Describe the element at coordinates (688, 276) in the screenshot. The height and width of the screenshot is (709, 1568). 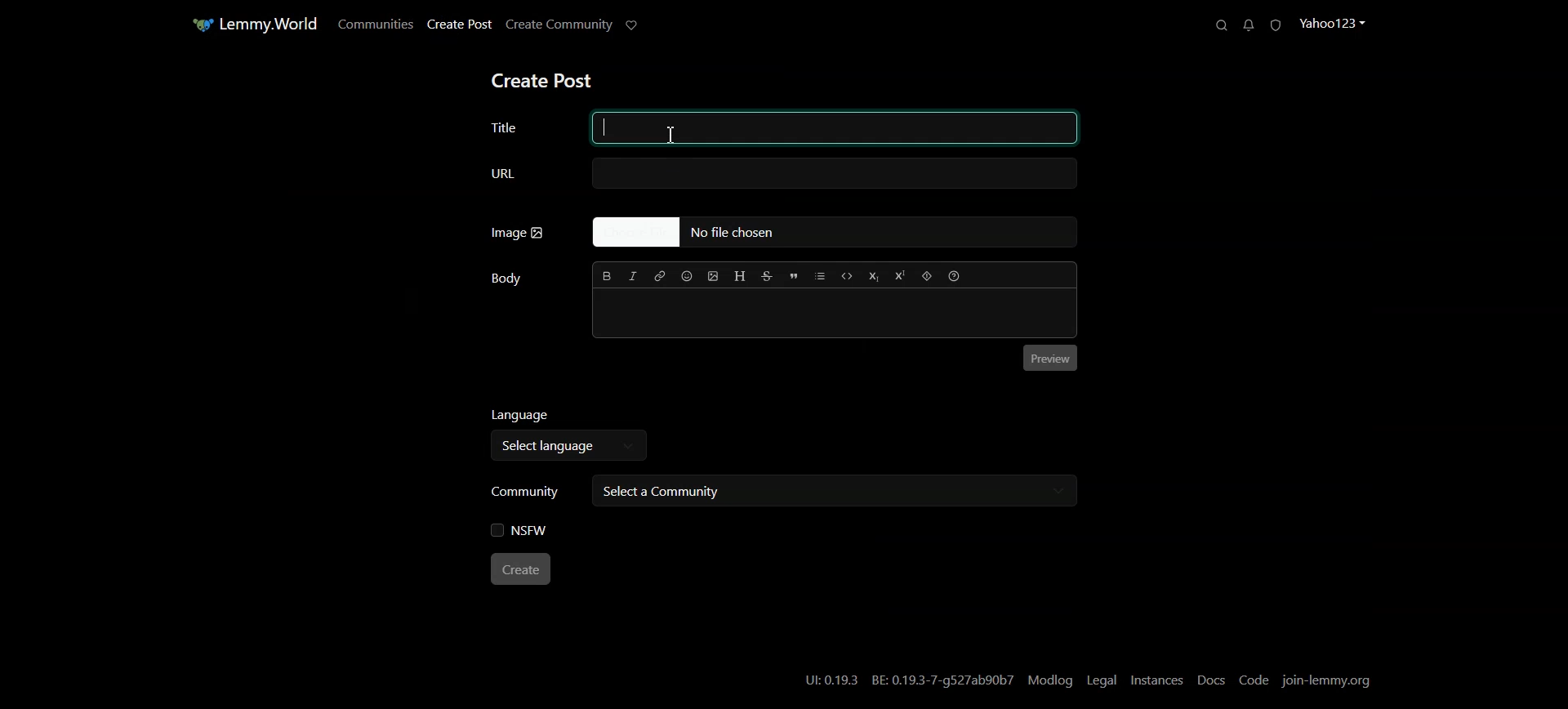
I see `Insert Emoji` at that location.